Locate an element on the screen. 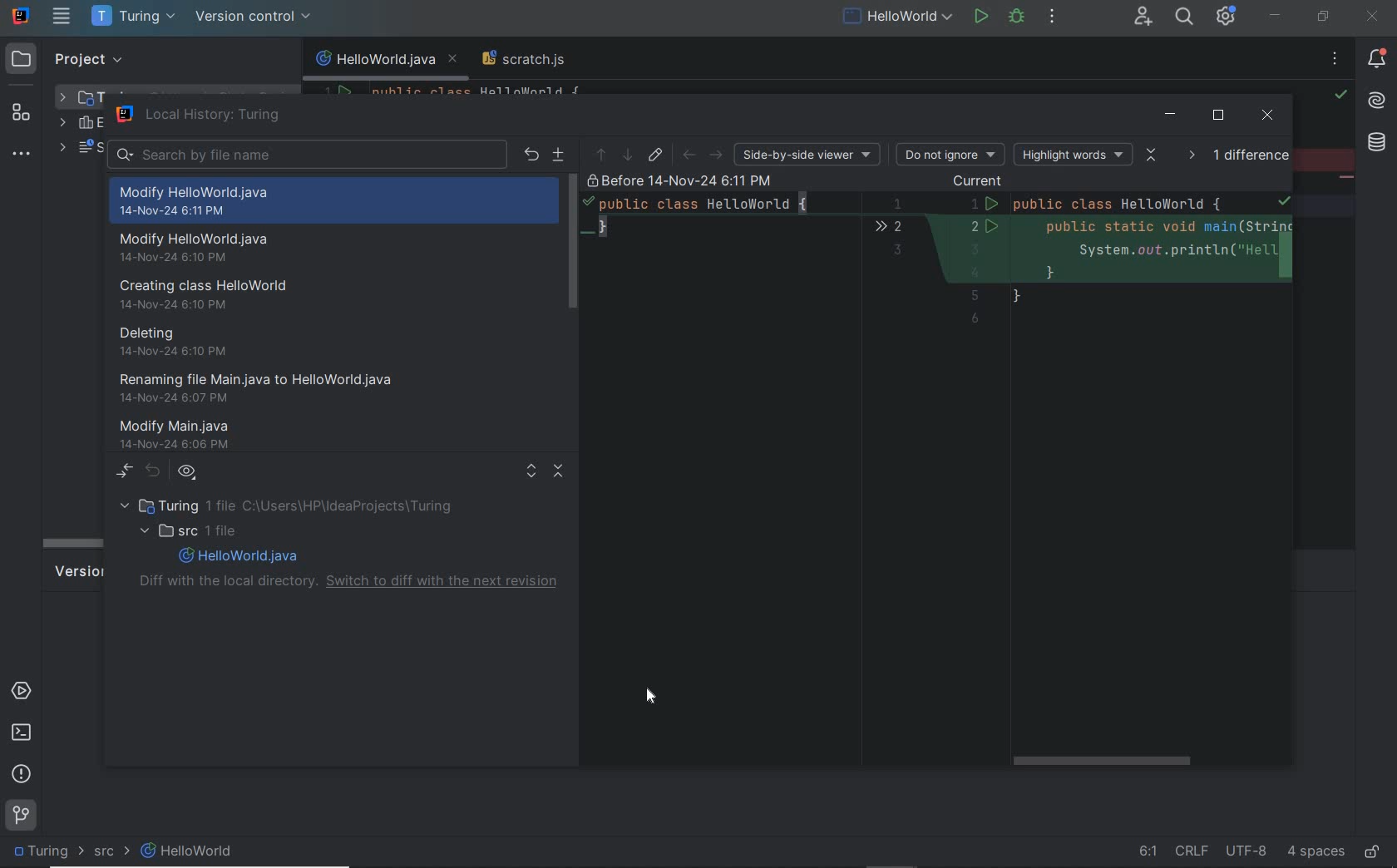 The width and height of the screenshot is (1397, 868). AI assistant is located at coordinates (1380, 101).